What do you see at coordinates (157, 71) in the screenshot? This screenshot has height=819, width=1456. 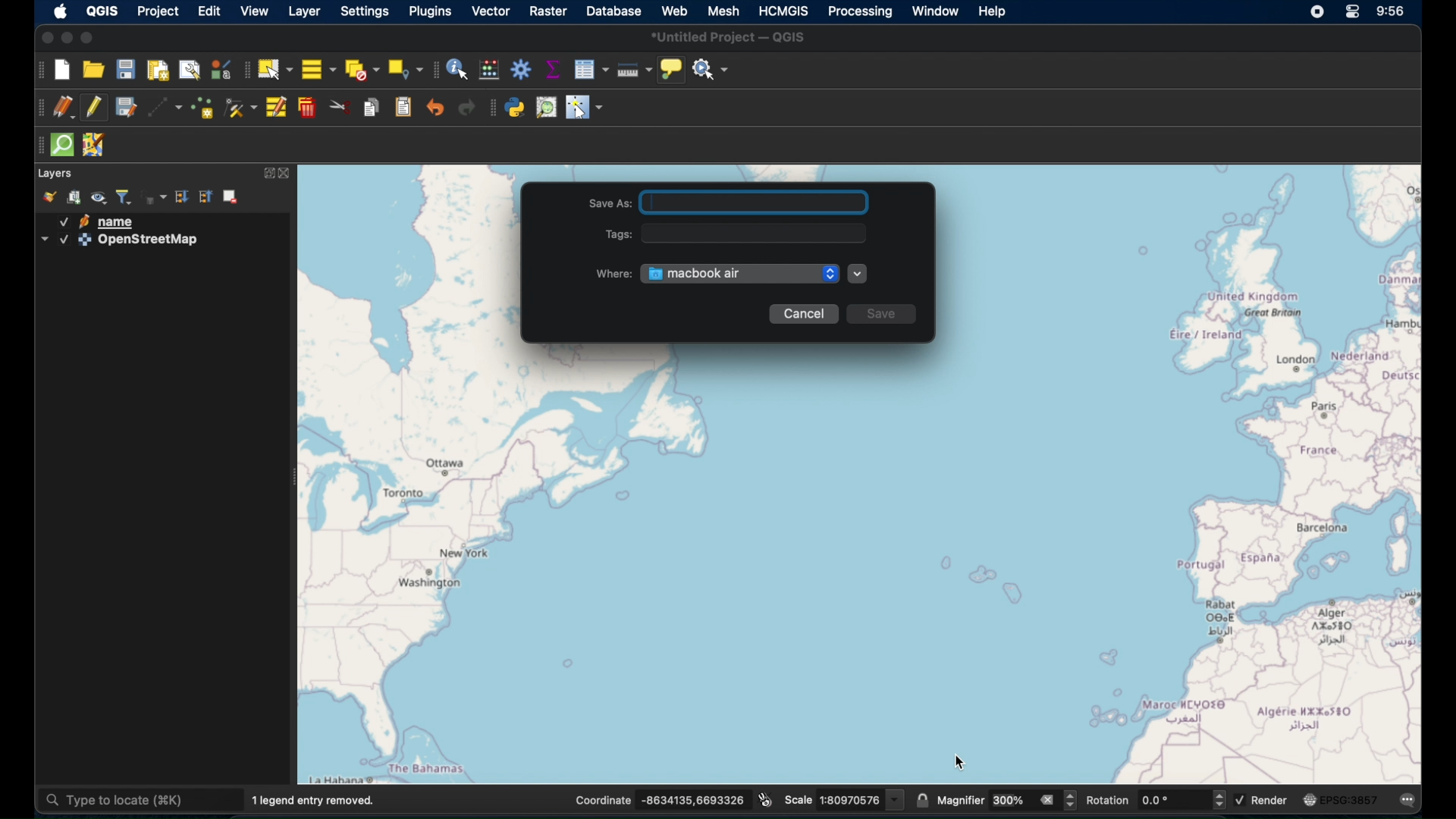 I see `new print layout` at bounding box center [157, 71].